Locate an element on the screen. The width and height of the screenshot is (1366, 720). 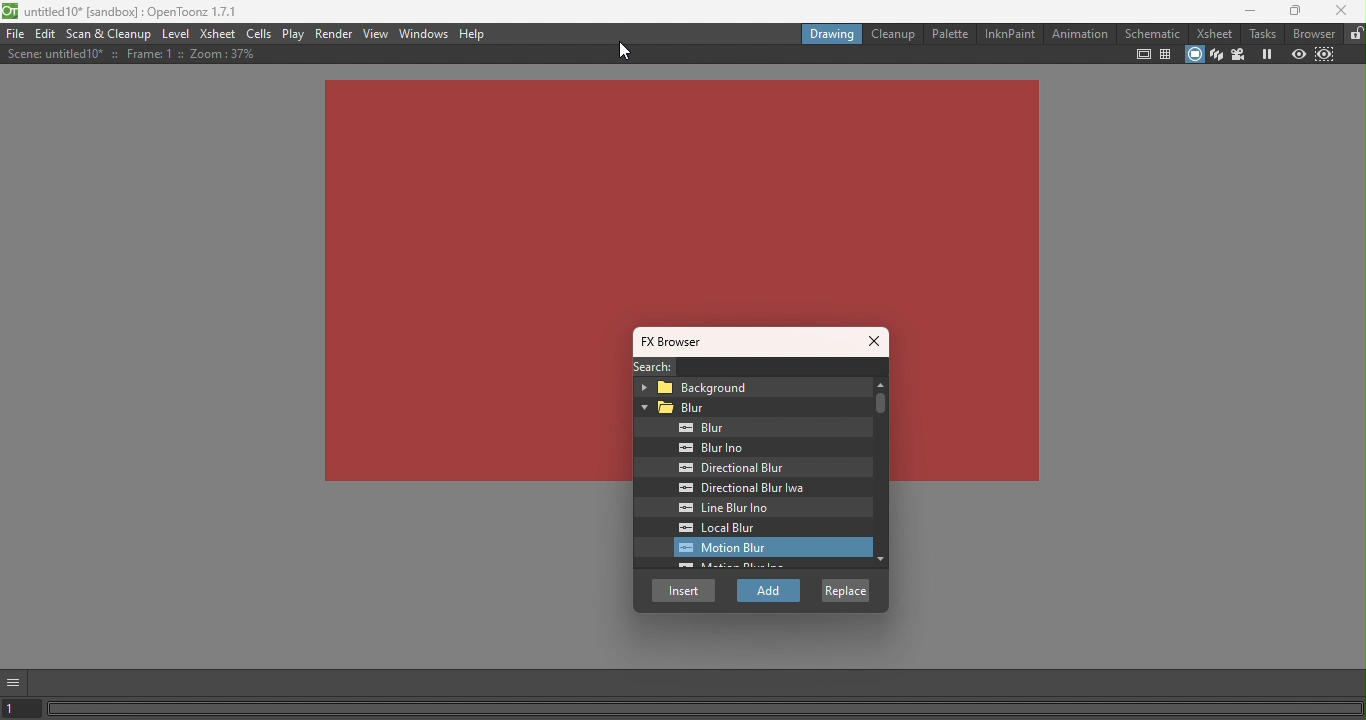
Close is located at coordinates (876, 343).